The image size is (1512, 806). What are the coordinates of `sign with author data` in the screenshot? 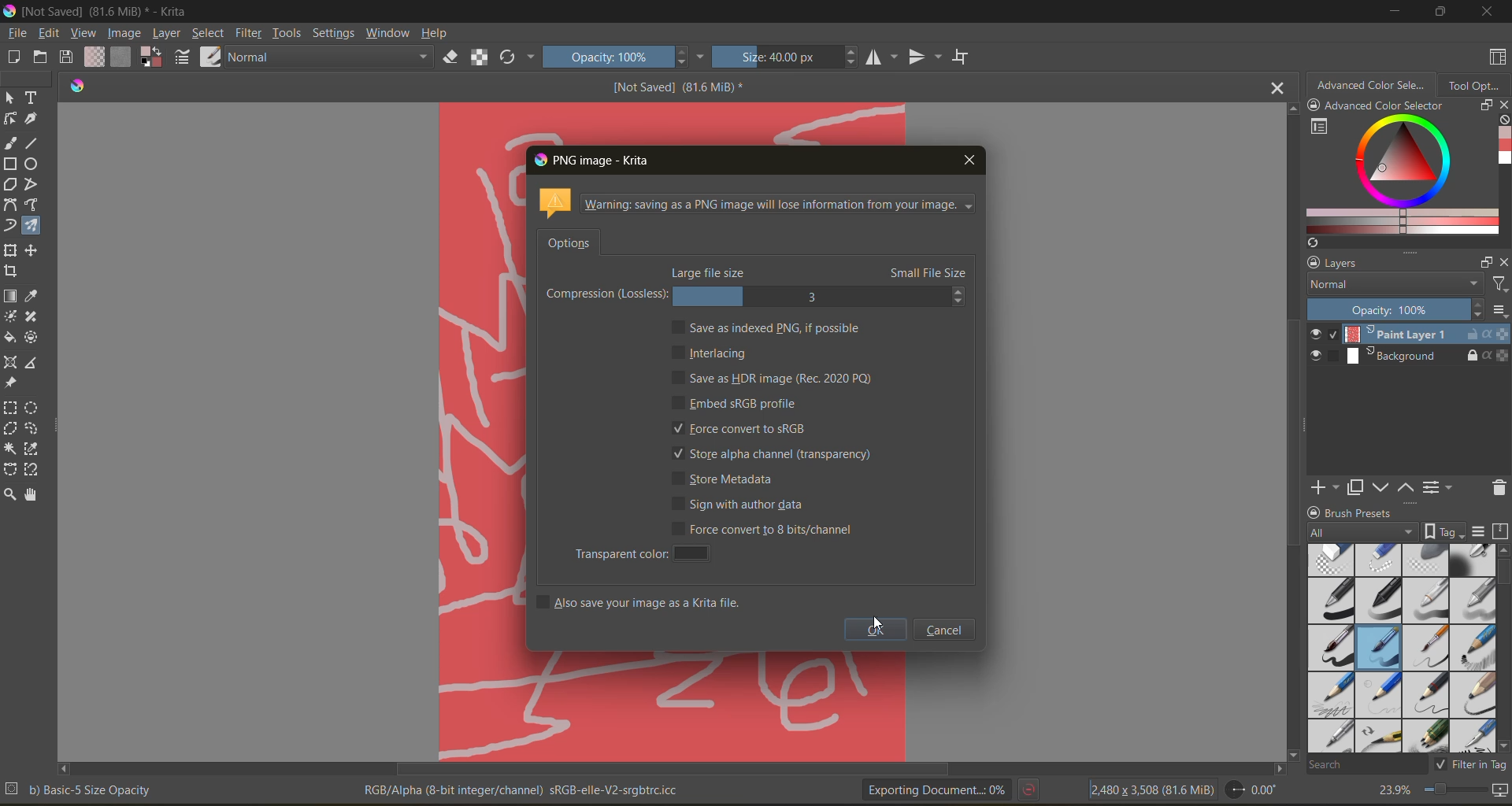 It's located at (743, 504).